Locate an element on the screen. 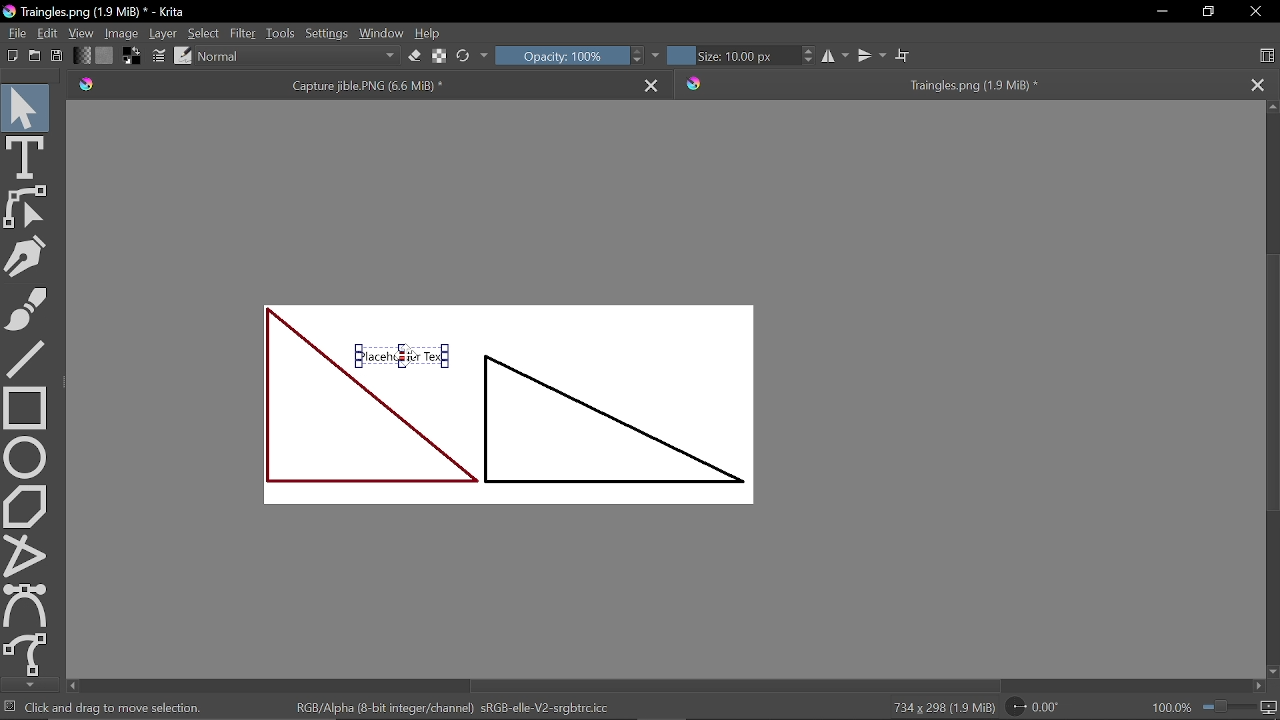  Restore down is located at coordinates (1206, 12).